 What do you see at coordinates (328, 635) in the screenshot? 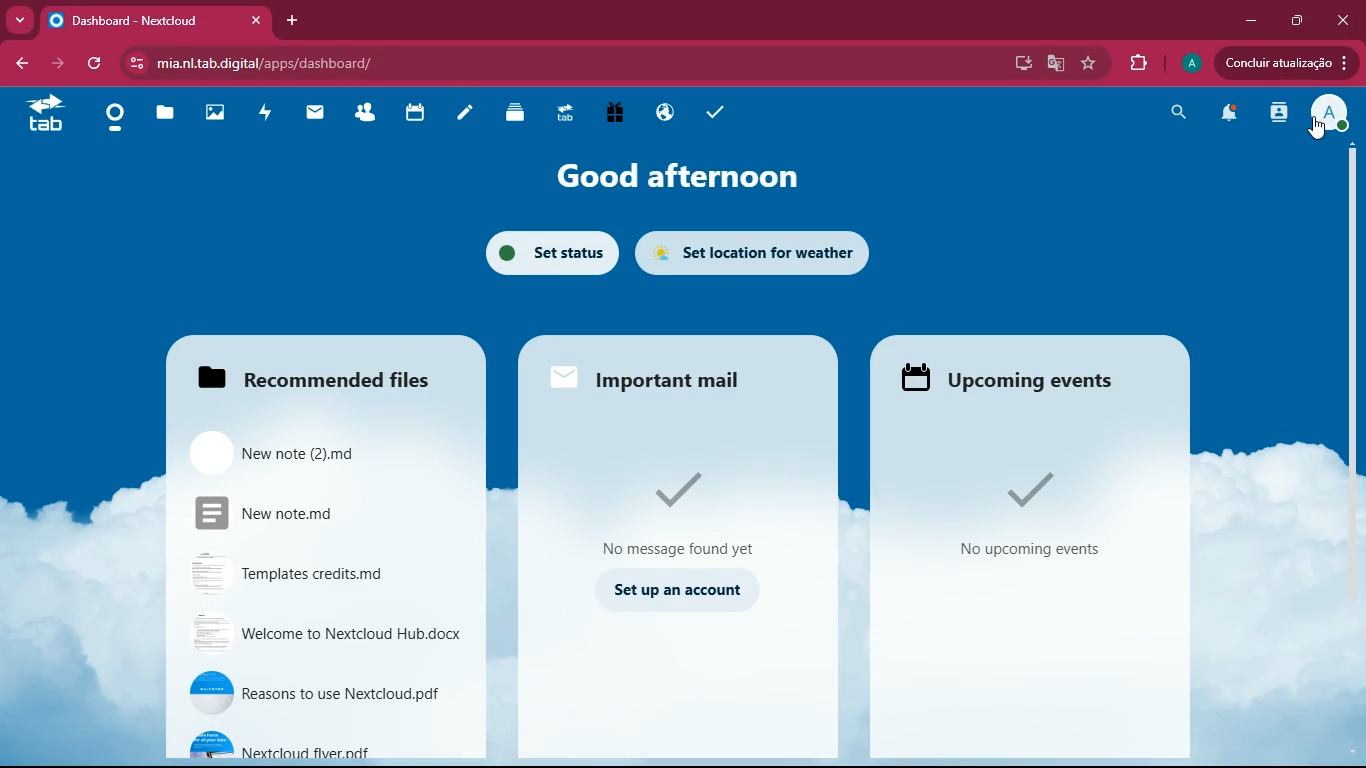
I see `Welcome to Nextcloud Hub.docx` at bounding box center [328, 635].